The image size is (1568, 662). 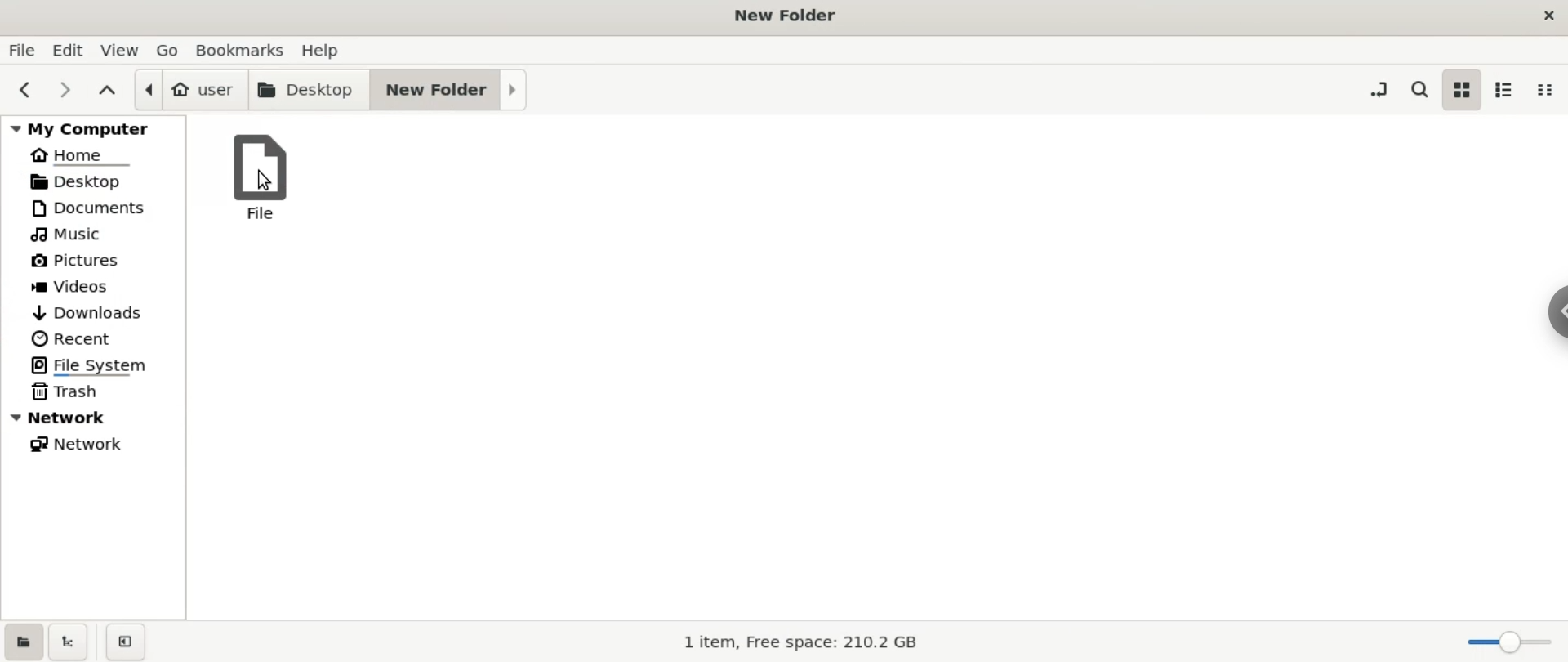 What do you see at coordinates (170, 51) in the screenshot?
I see `go` at bounding box center [170, 51].